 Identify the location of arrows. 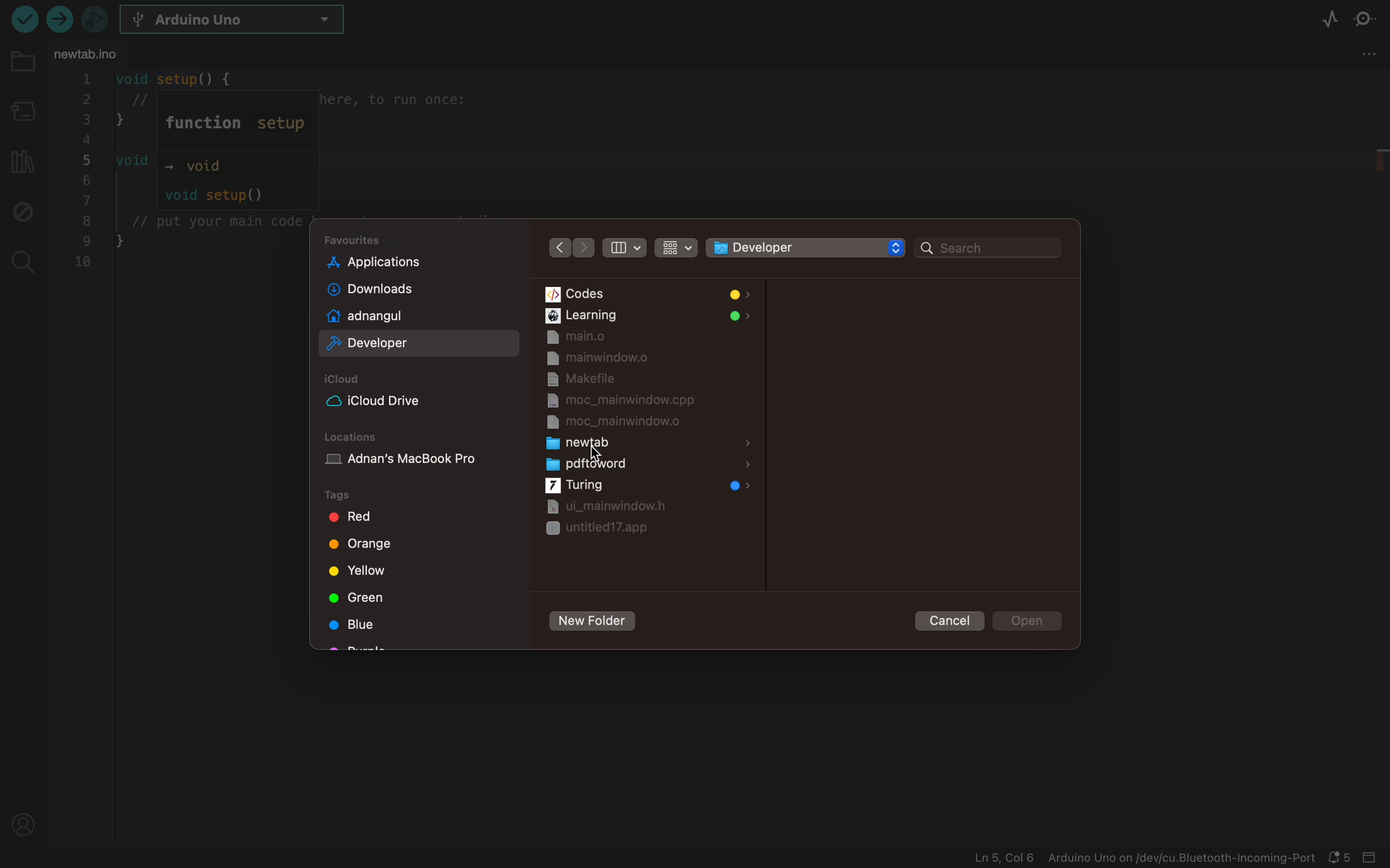
(570, 247).